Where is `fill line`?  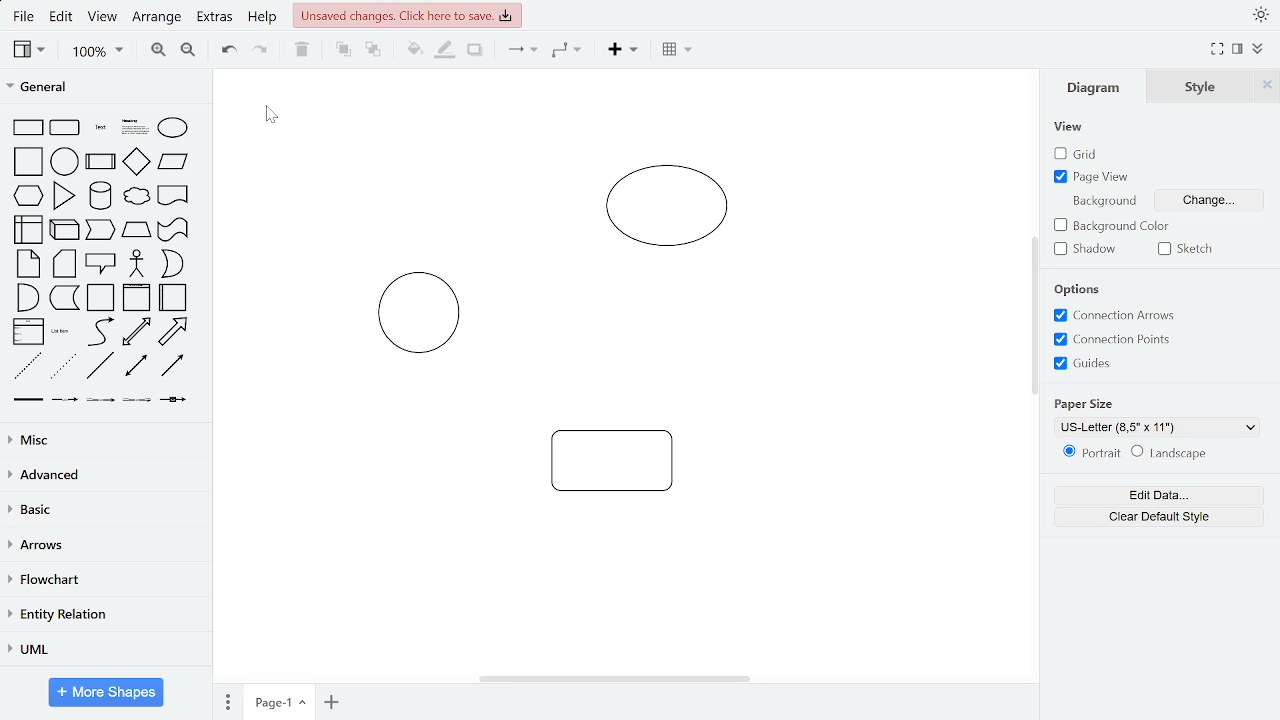
fill line is located at coordinates (446, 51).